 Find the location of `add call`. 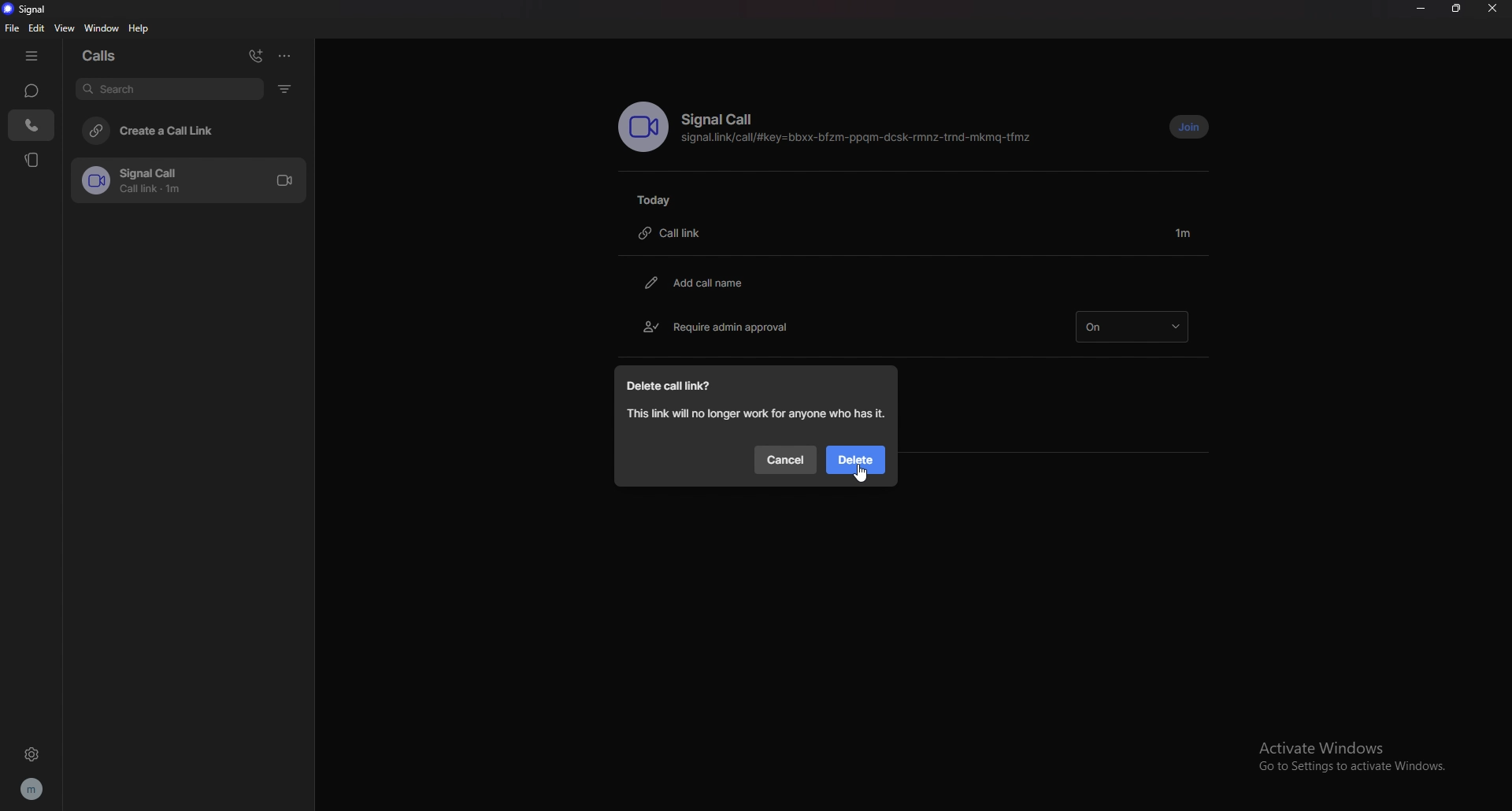

add call is located at coordinates (258, 54).